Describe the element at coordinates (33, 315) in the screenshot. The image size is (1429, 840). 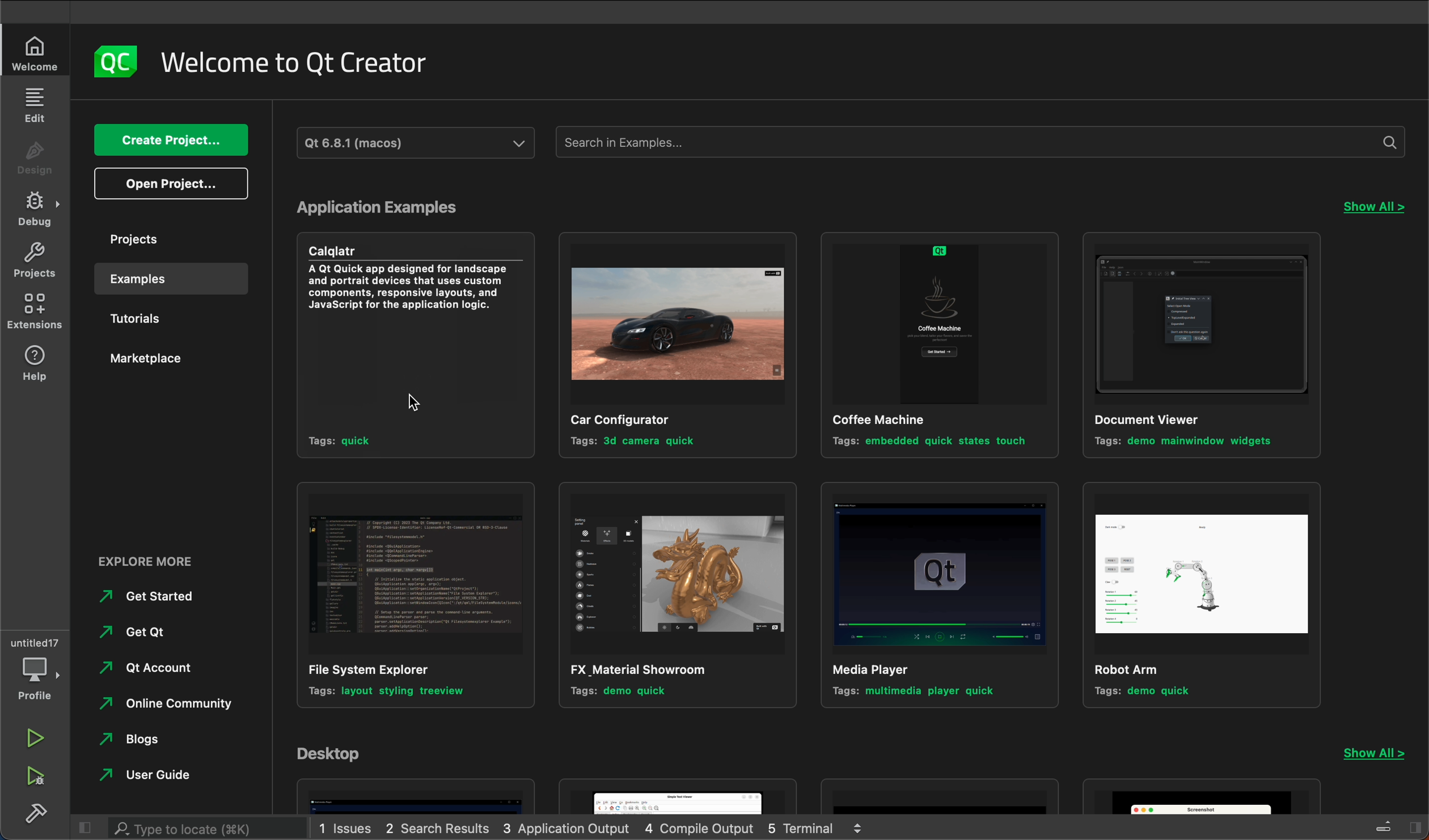
I see `extensions` at that location.